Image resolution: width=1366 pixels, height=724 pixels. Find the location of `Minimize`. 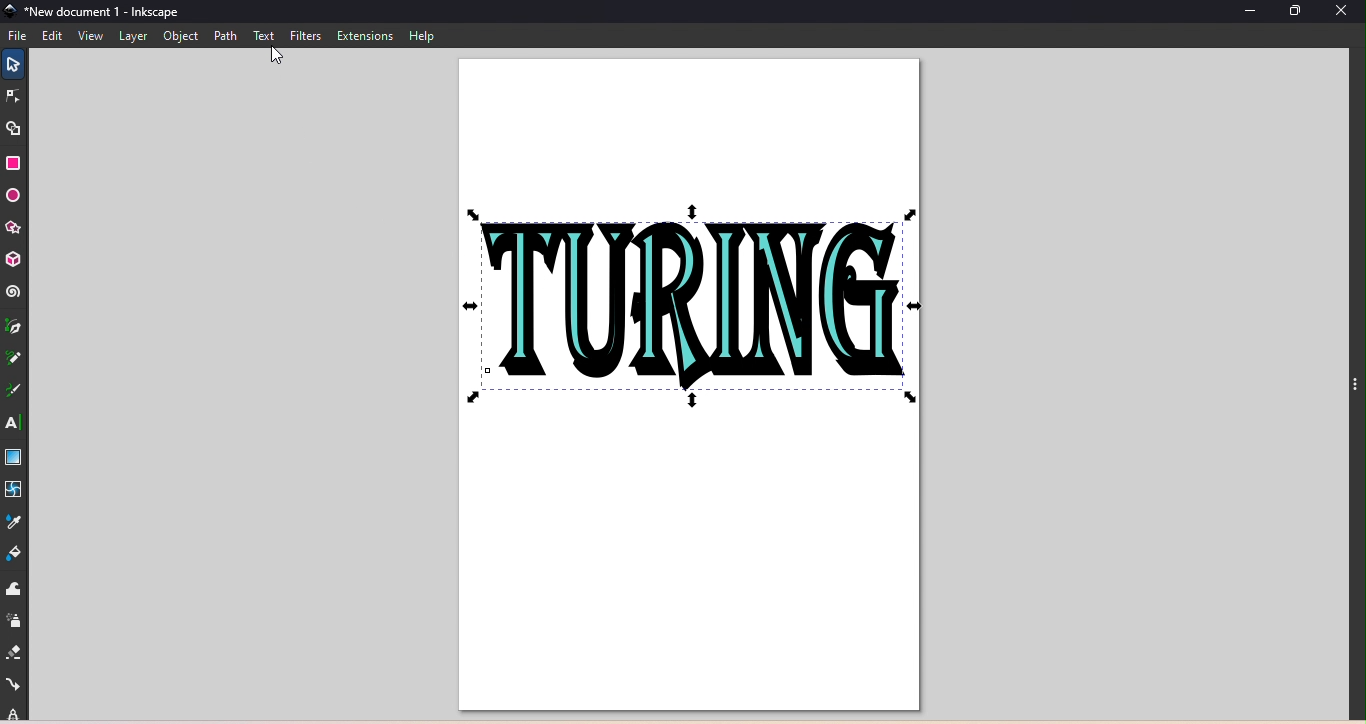

Minimize is located at coordinates (1245, 13).